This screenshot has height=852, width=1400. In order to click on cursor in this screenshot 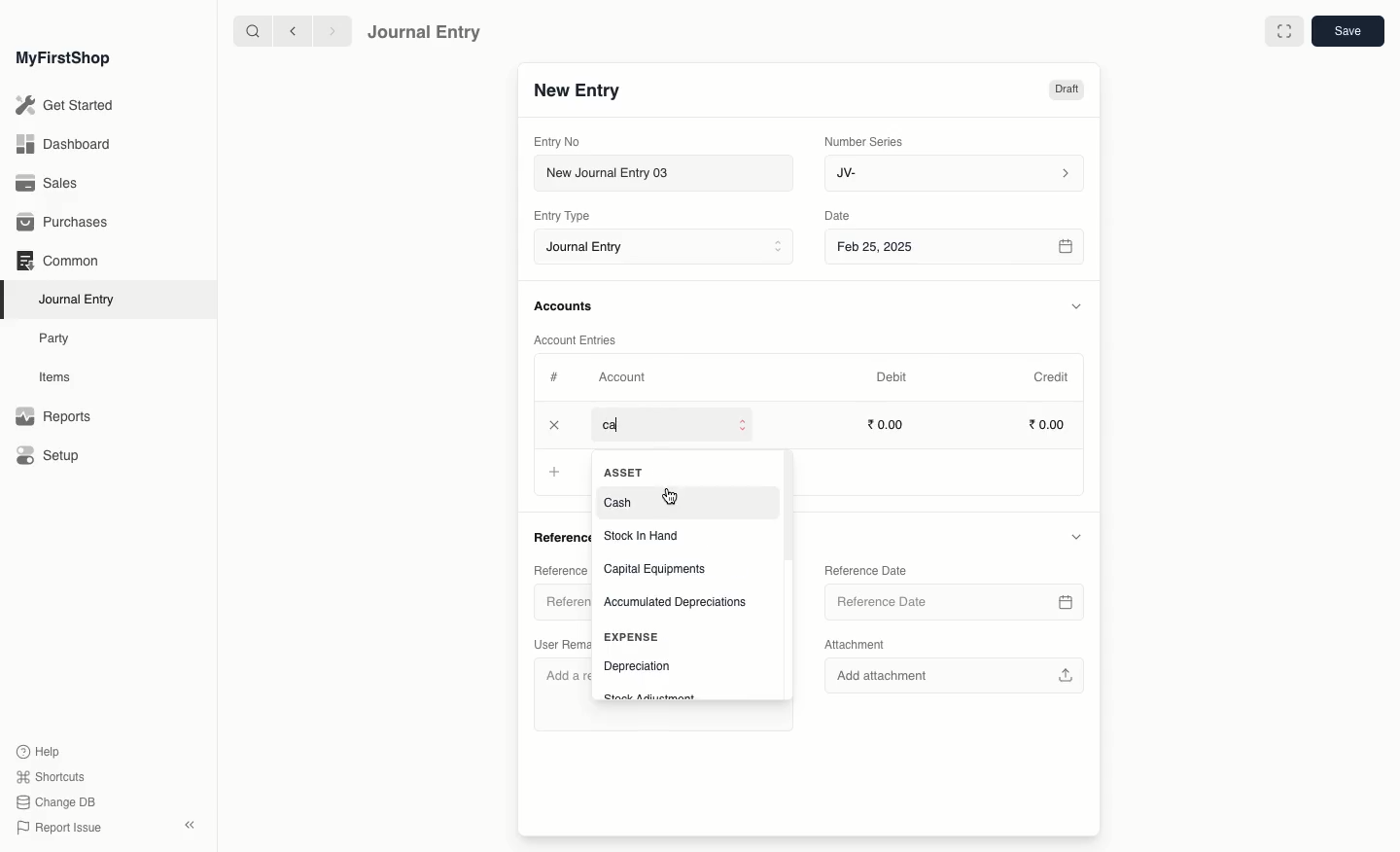, I will do `click(671, 496)`.